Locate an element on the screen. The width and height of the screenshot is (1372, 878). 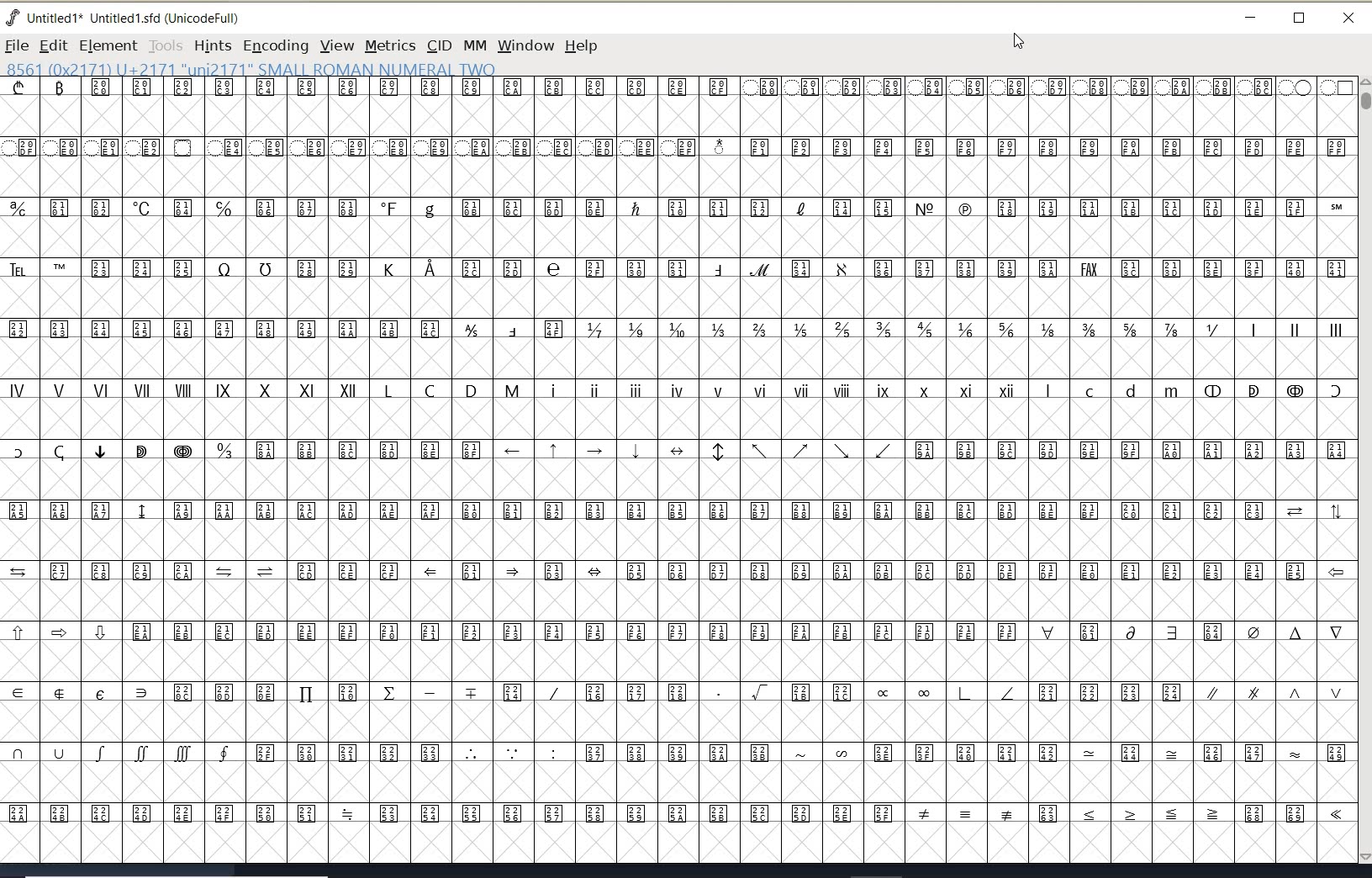
fontforge logo is located at coordinates (13, 18).